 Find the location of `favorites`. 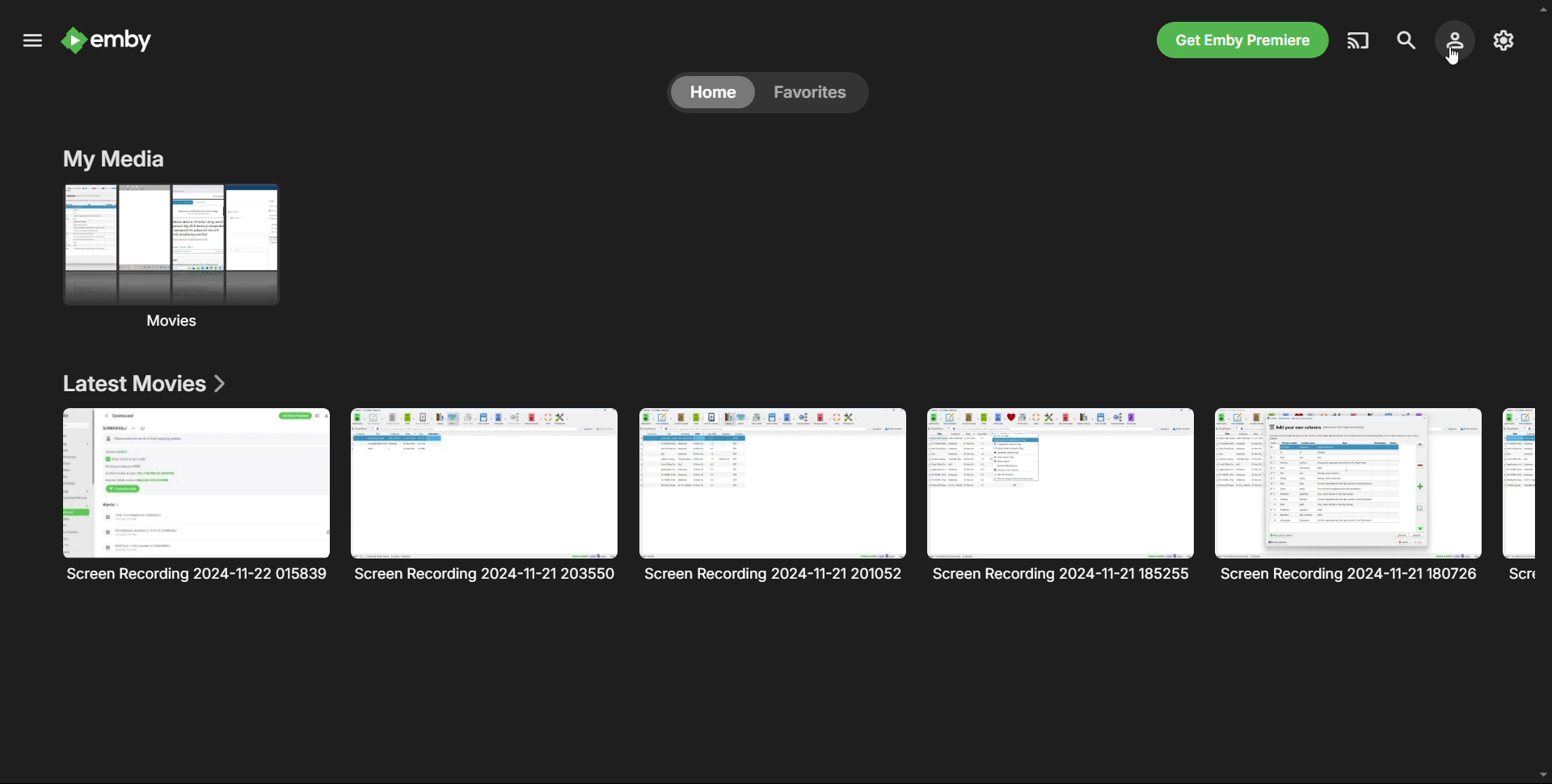

favorites is located at coordinates (816, 92).